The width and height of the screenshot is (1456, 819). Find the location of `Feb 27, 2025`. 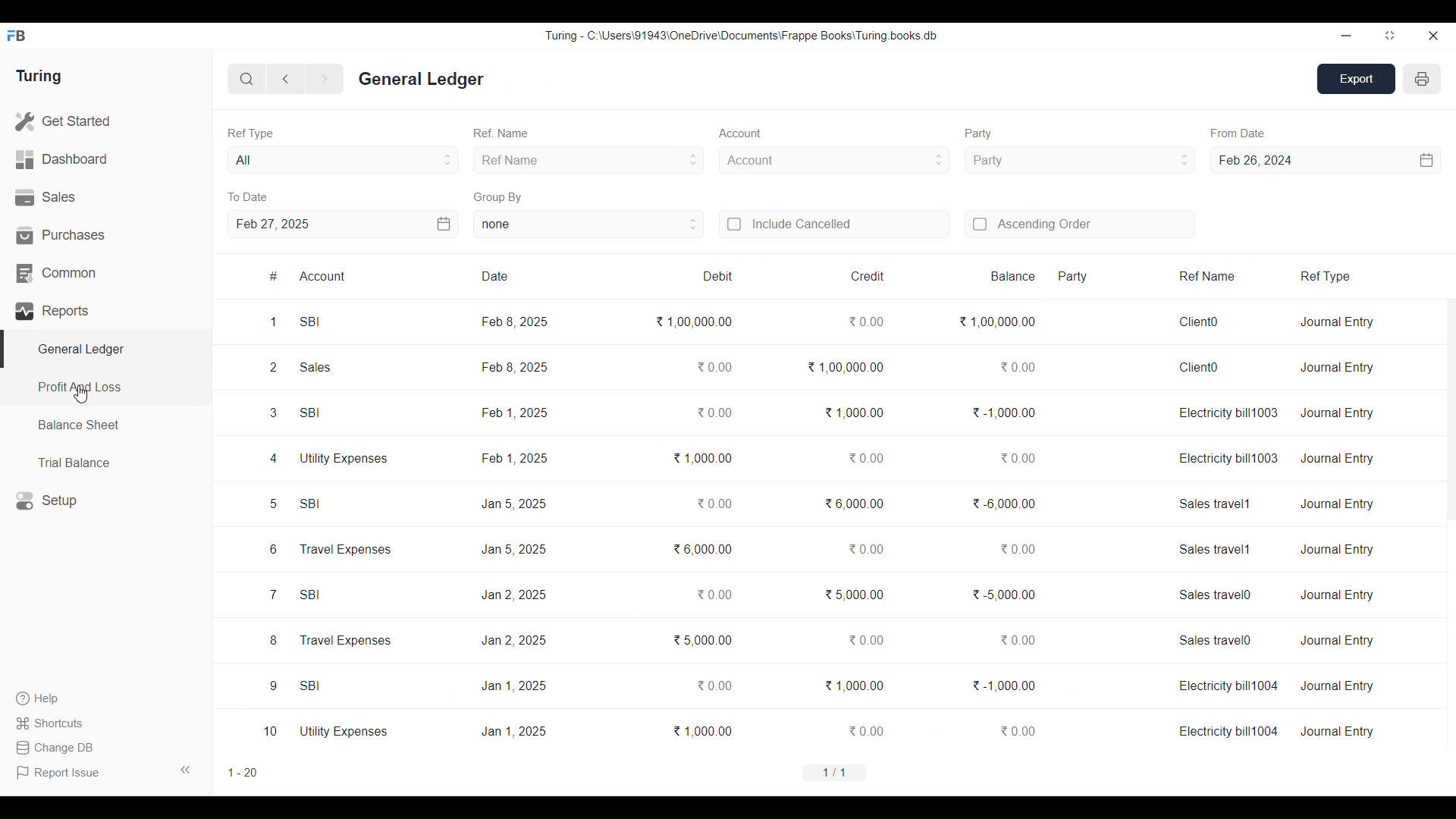

Feb 27, 2025 is located at coordinates (272, 224).